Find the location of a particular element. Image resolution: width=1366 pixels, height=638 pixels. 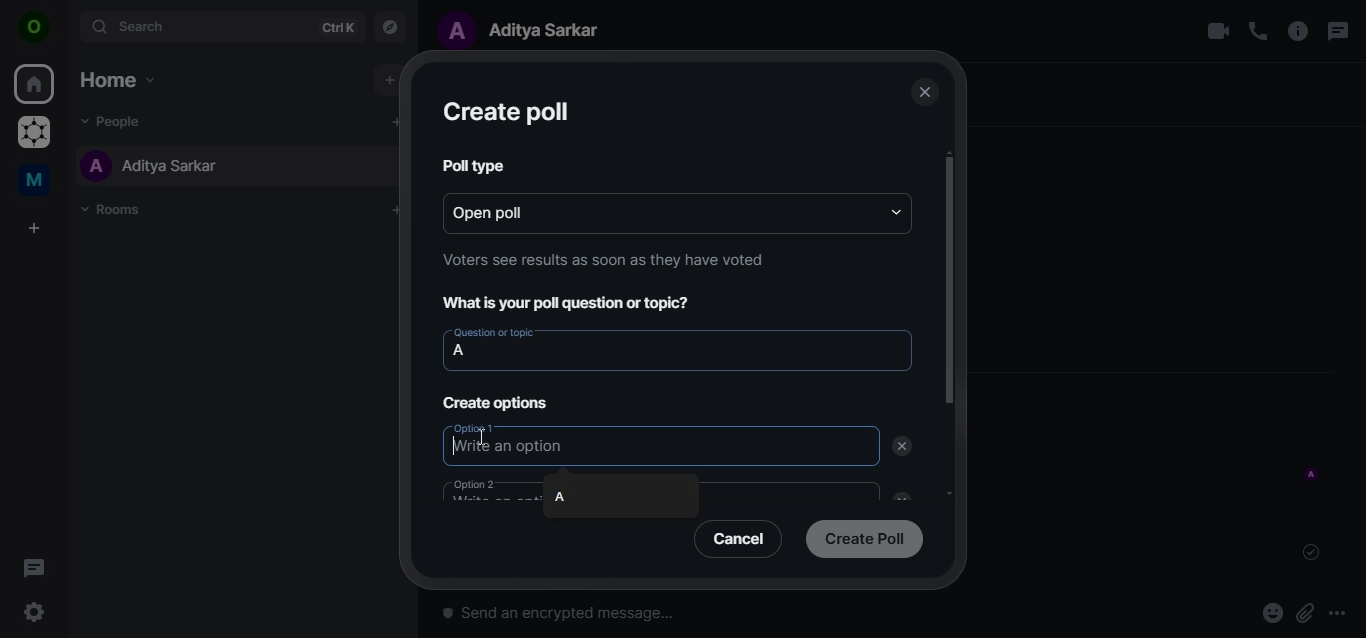

close is located at coordinates (923, 93).